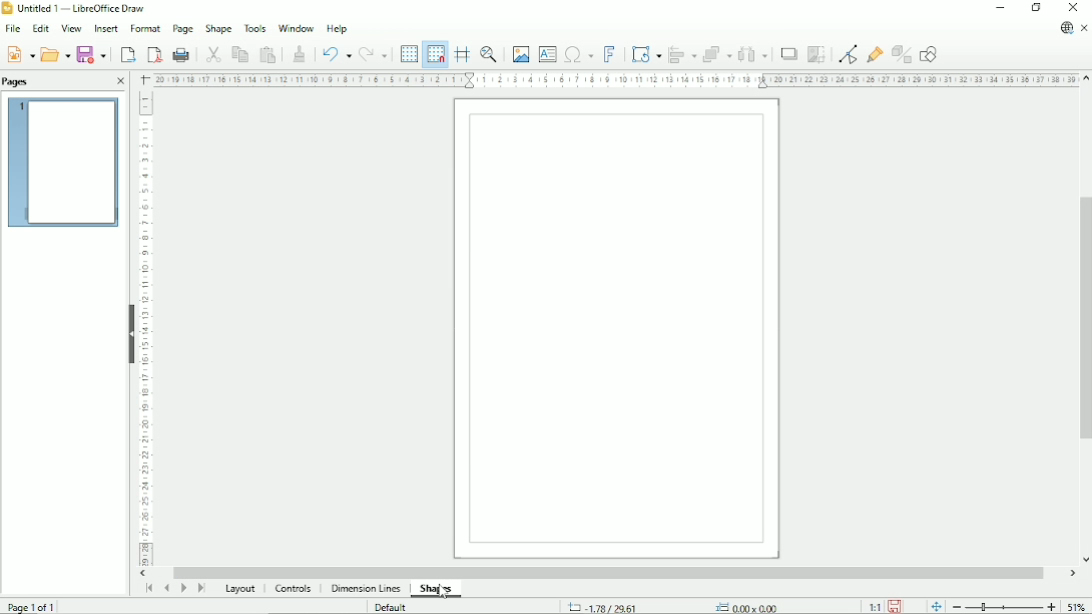  Describe the element at coordinates (436, 589) in the screenshot. I see `Shapes` at that location.